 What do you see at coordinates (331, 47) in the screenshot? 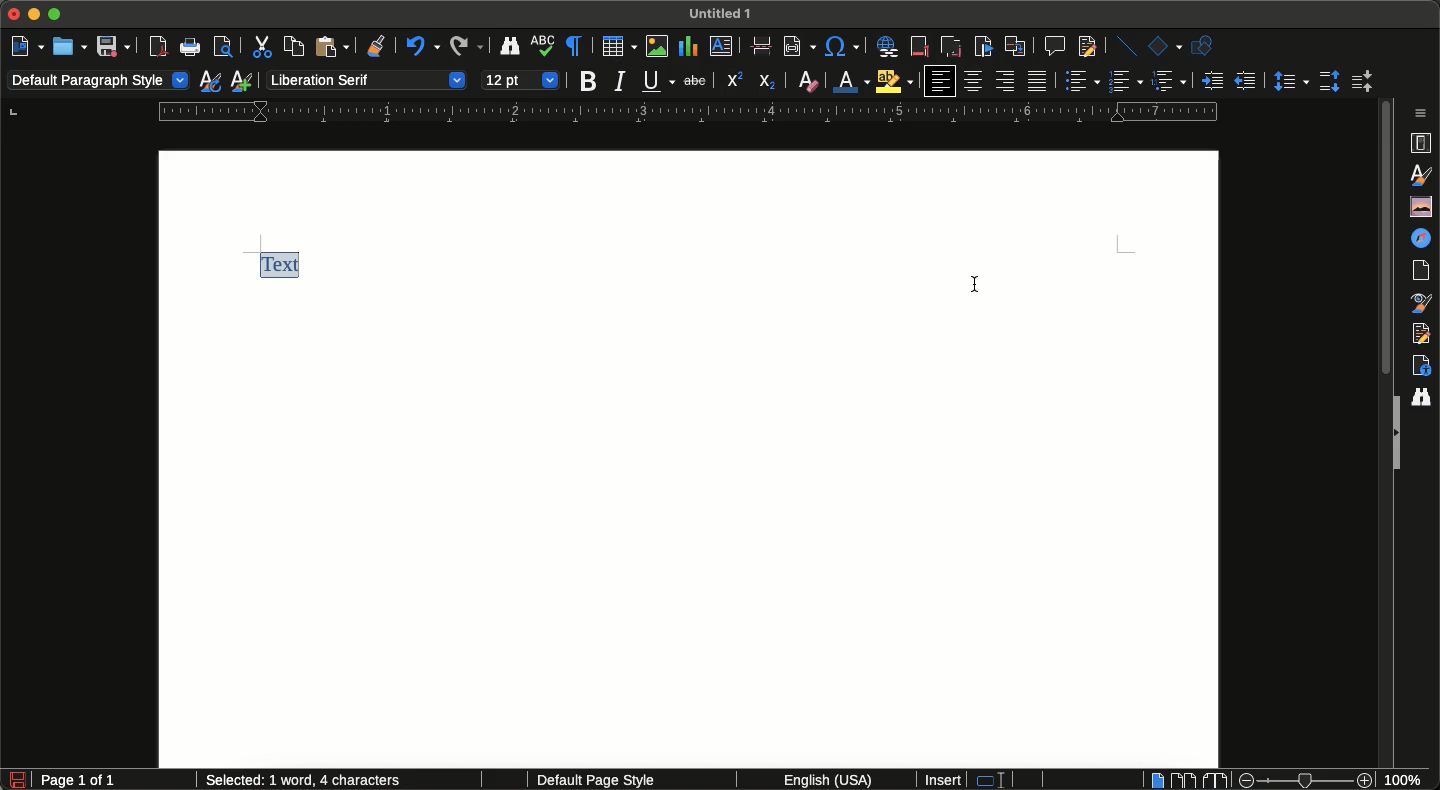
I see `Paste` at bounding box center [331, 47].